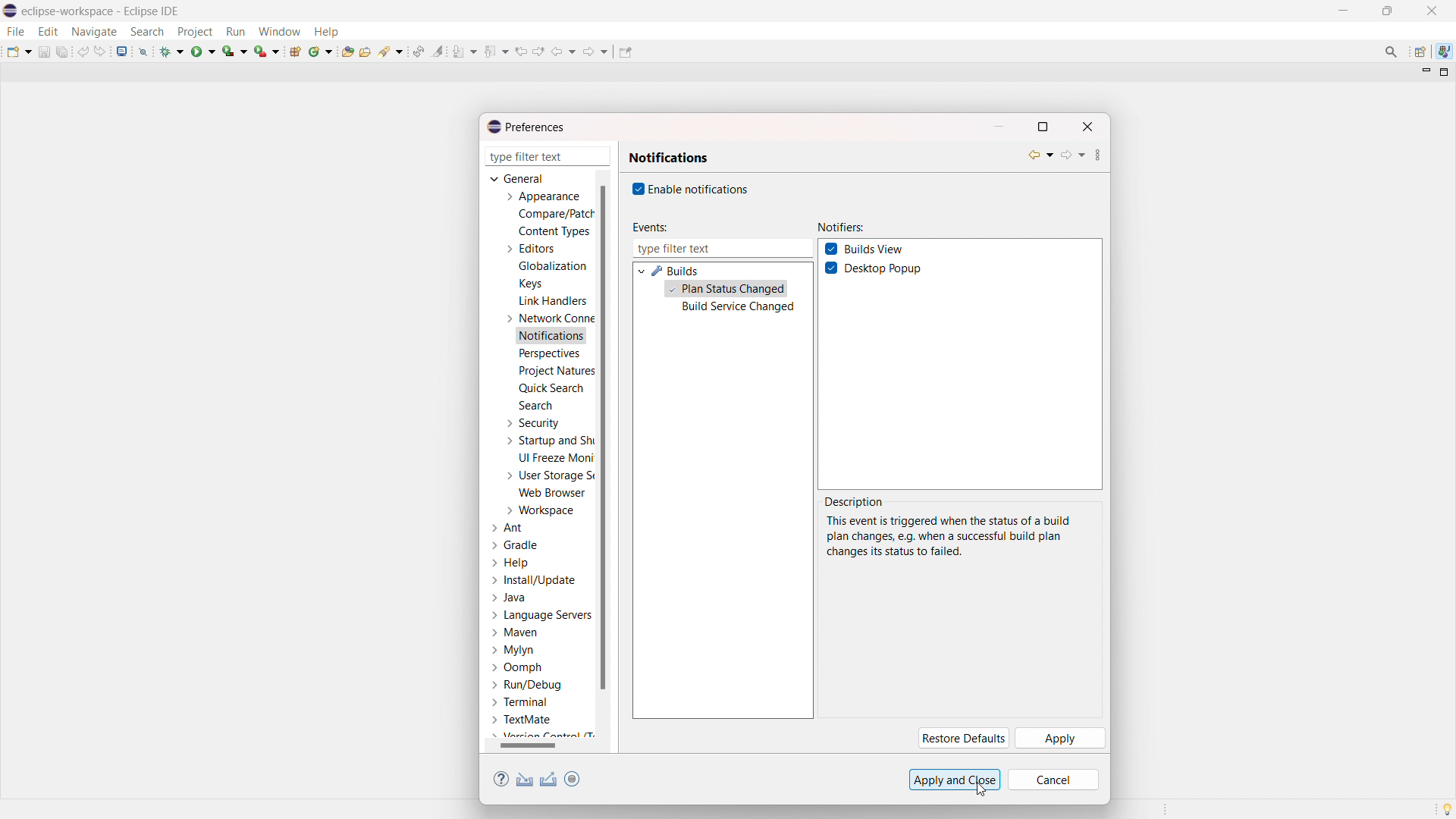  What do you see at coordinates (235, 32) in the screenshot?
I see `run` at bounding box center [235, 32].